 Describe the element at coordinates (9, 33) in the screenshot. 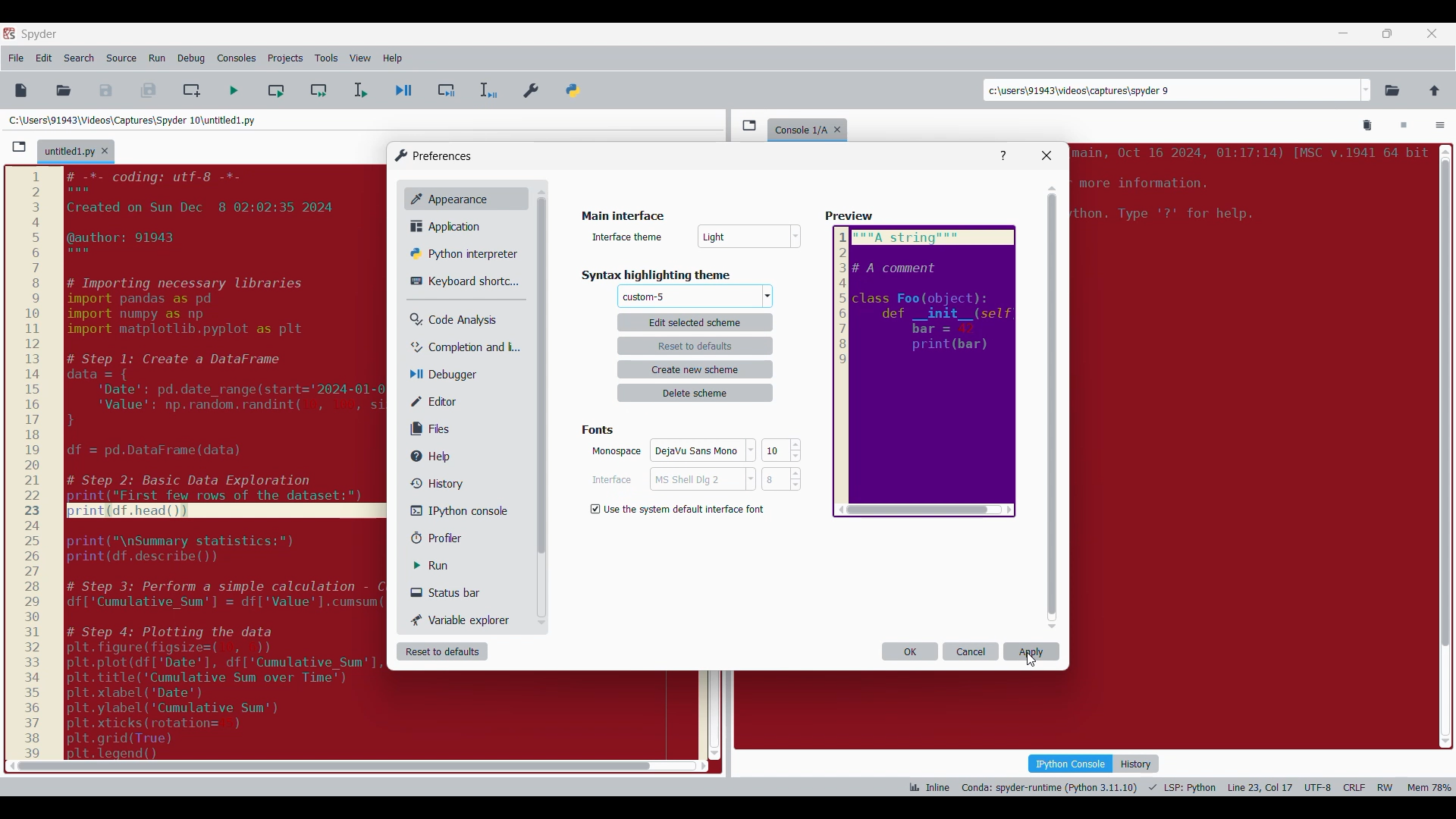

I see `Software logo` at that location.